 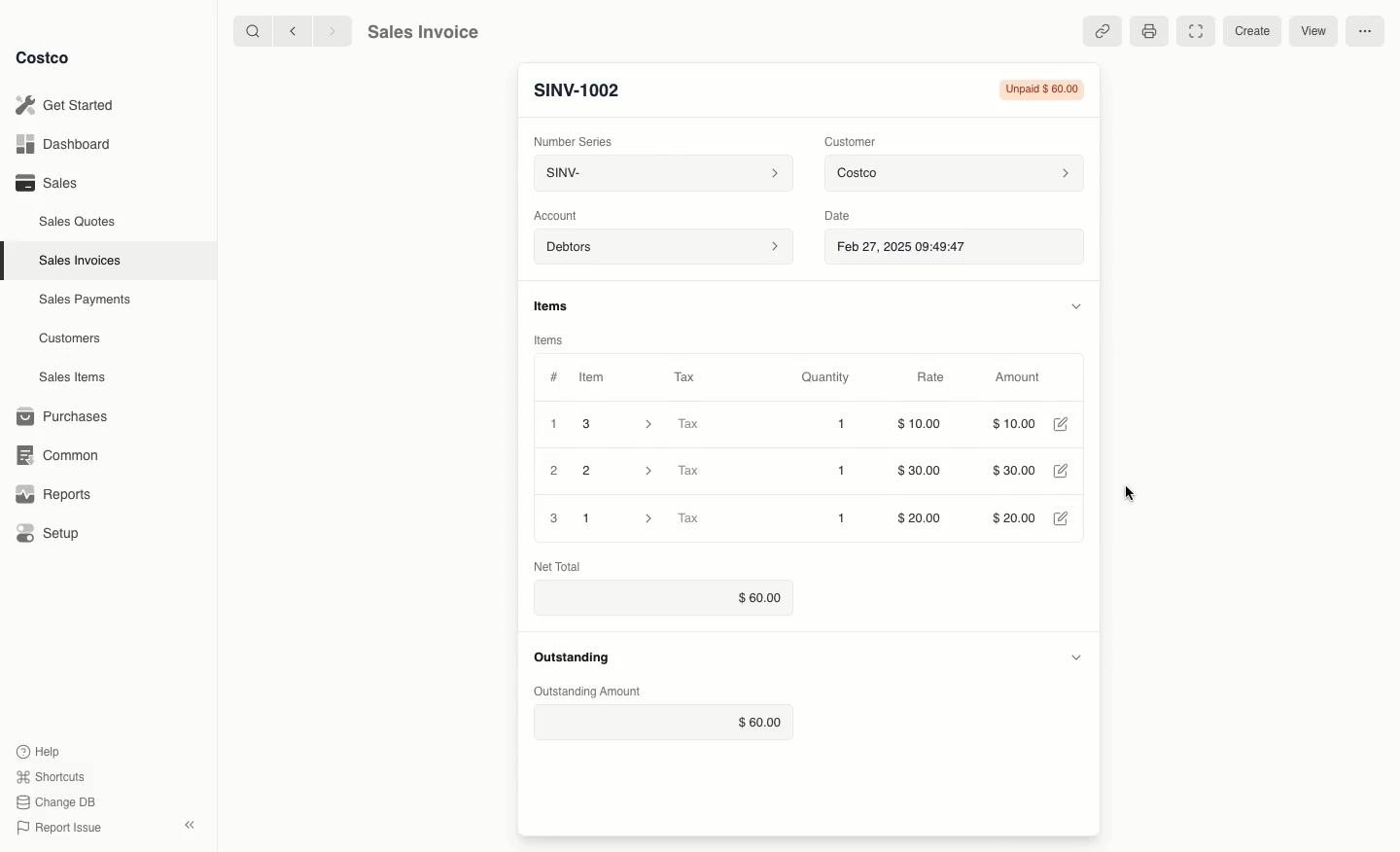 What do you see at coordinates (951, 174) in the screenshot?
I see `Costco` at bounding box center [951, 174].